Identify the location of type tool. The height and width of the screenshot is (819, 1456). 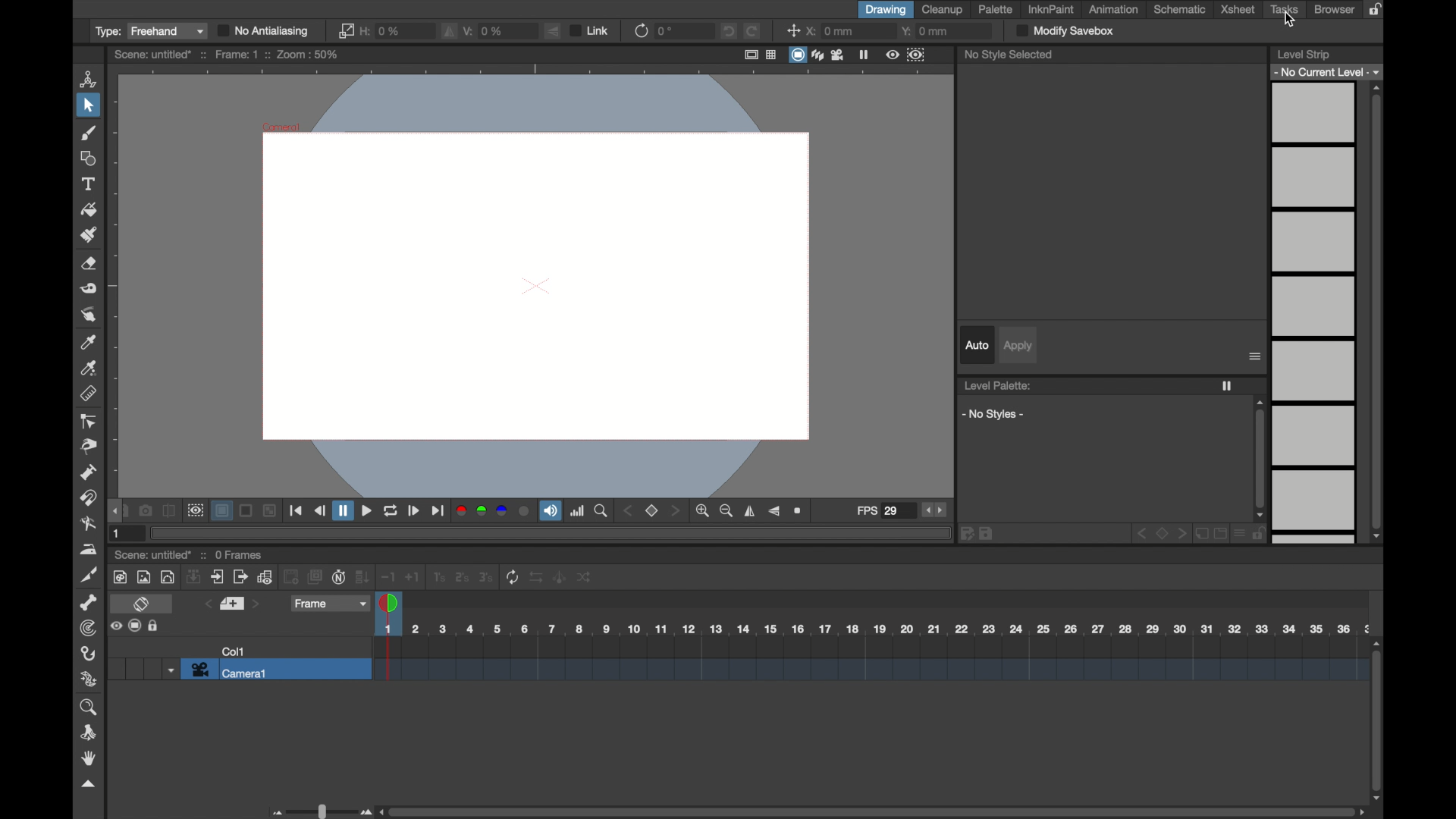
(90, 184).